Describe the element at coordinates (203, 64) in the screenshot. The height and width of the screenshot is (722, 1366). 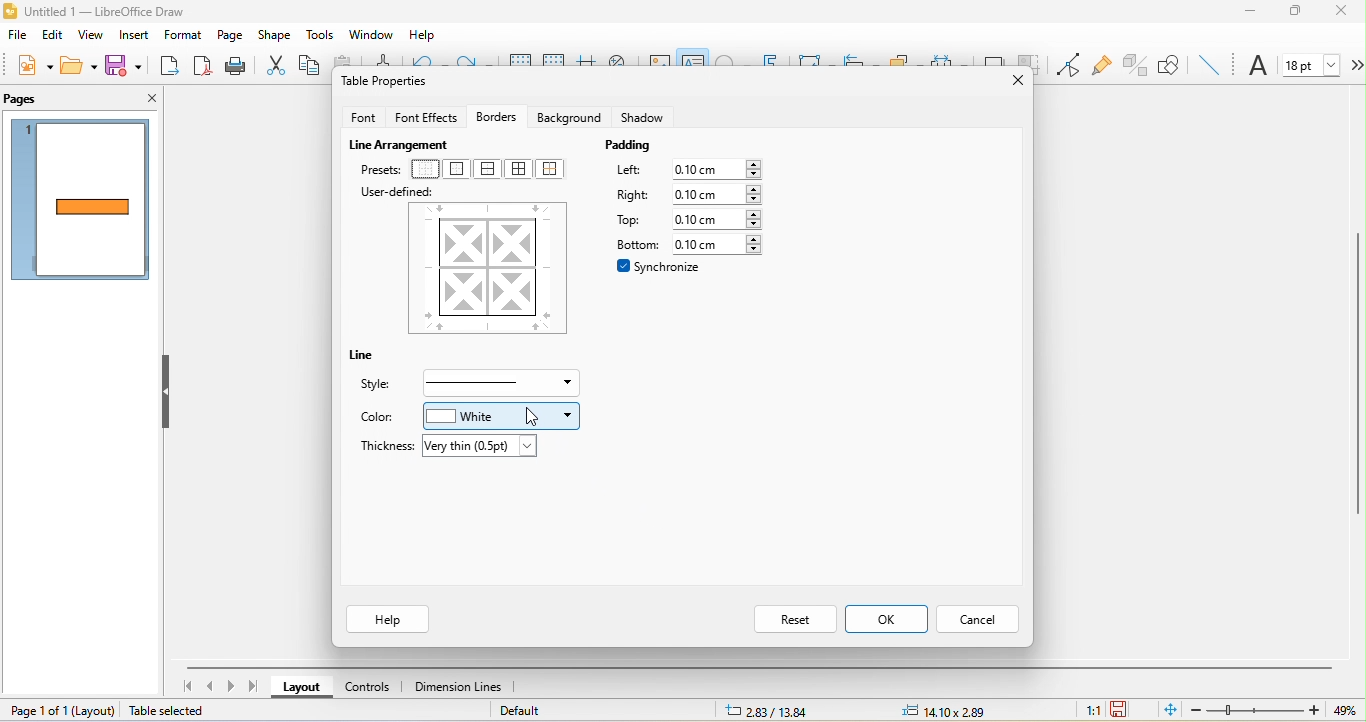
I see `export directly as pdf` at that location.